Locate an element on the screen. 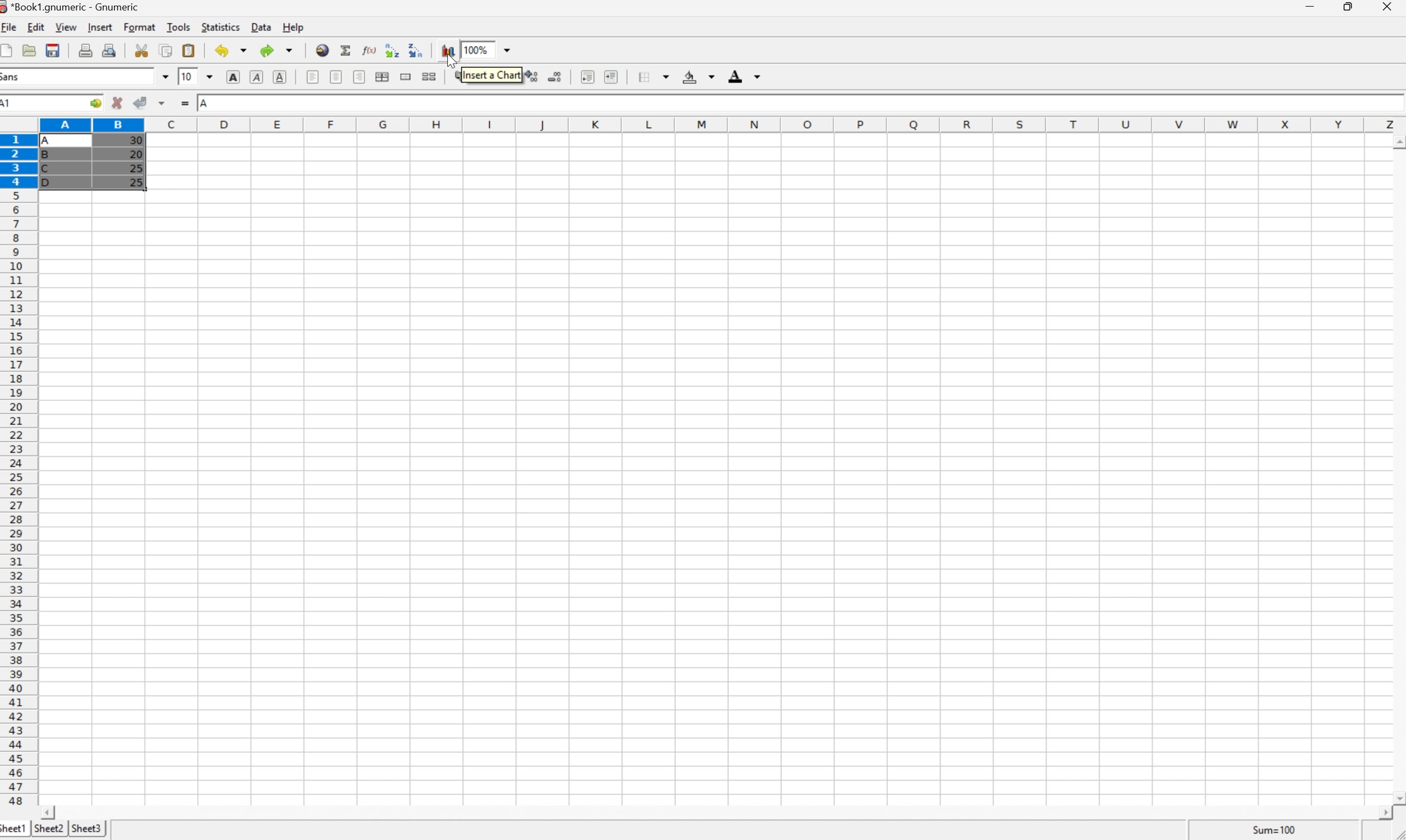 The width and height of the screenshot is (1406, 840). Copy the selection is located at coordinates (166, 52).